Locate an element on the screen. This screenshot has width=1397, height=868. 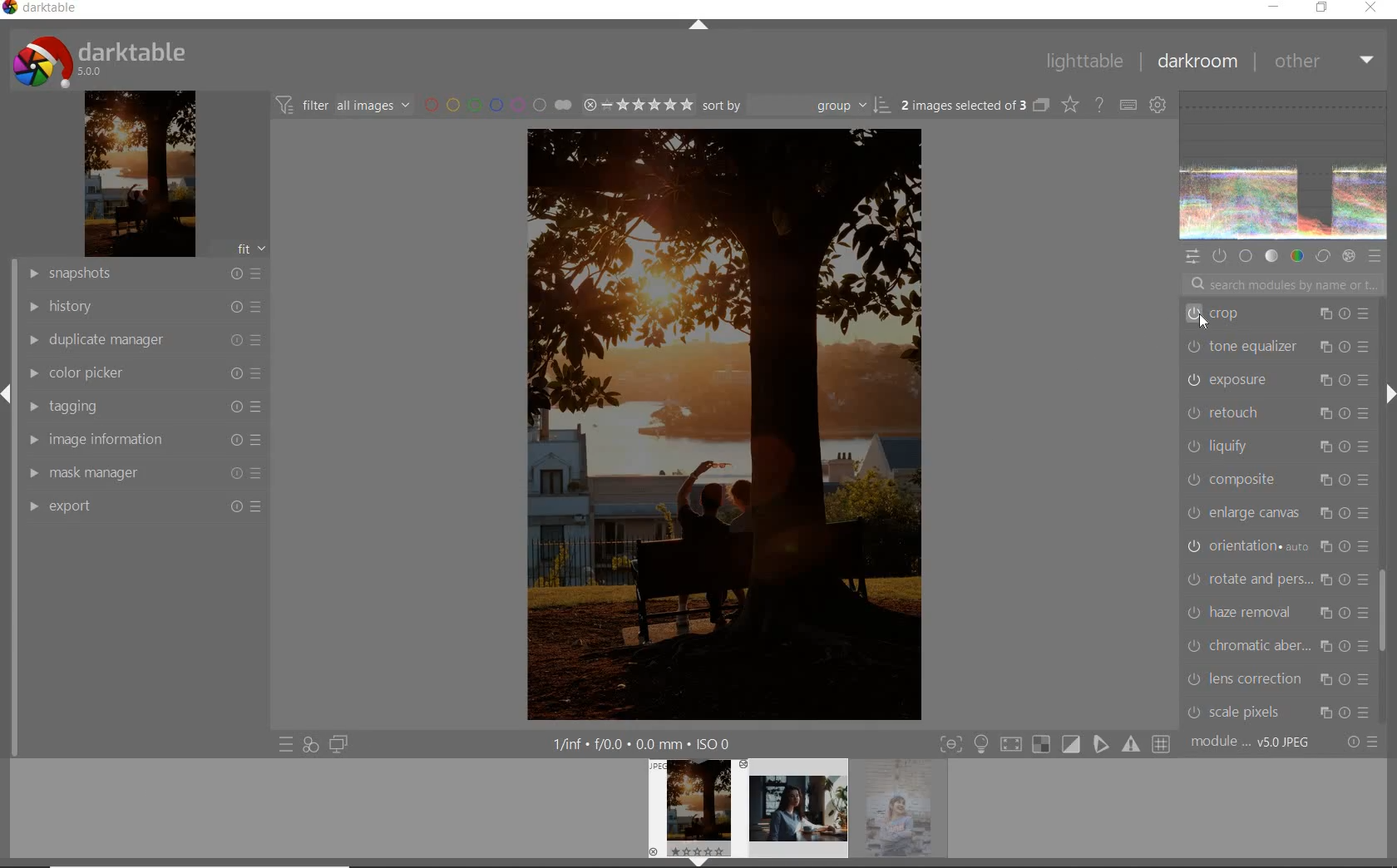
select image range rating is located at coordinates (635, 105).